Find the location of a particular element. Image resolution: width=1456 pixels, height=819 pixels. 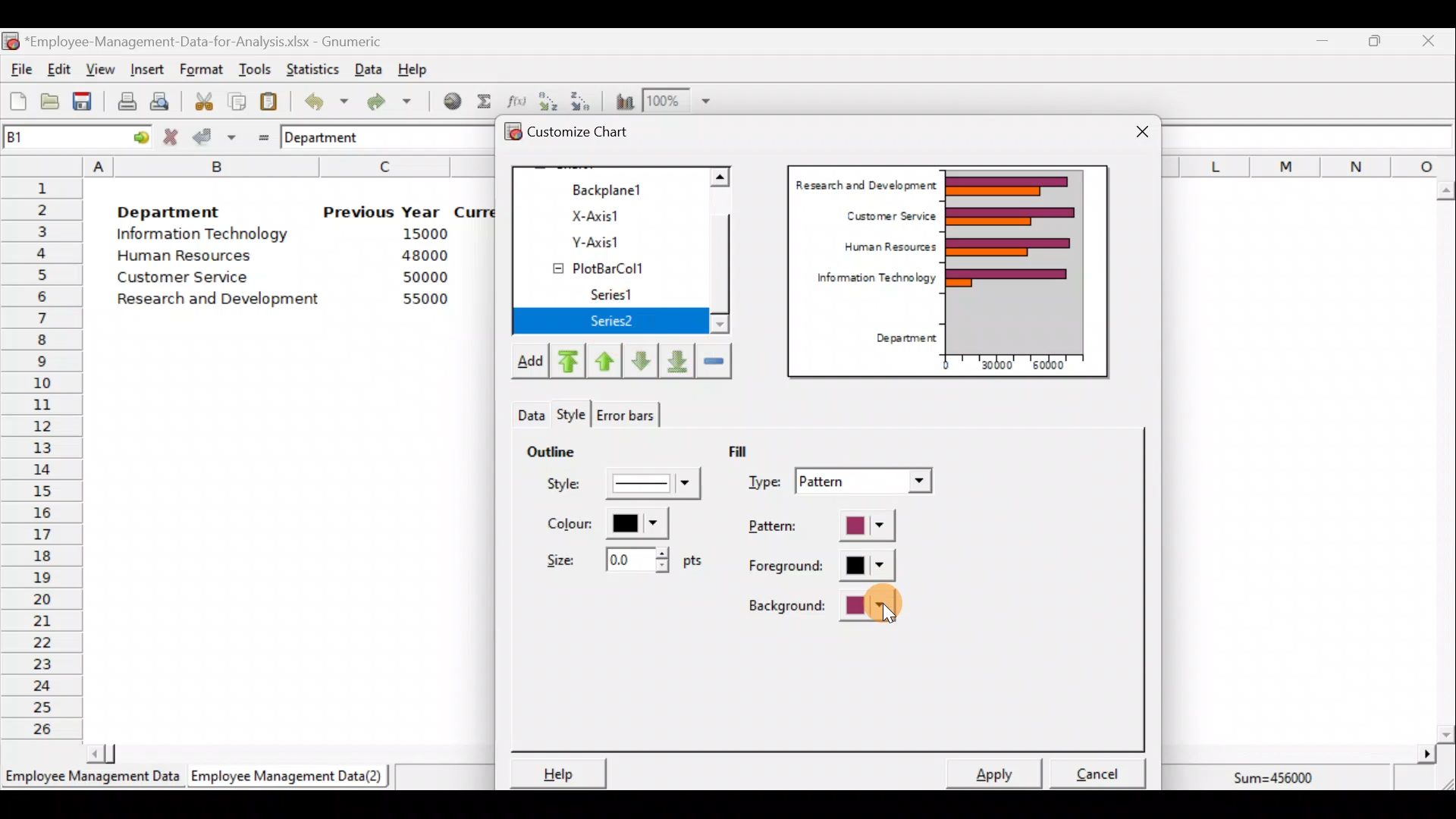

0 is located at coordinates (946, 365).